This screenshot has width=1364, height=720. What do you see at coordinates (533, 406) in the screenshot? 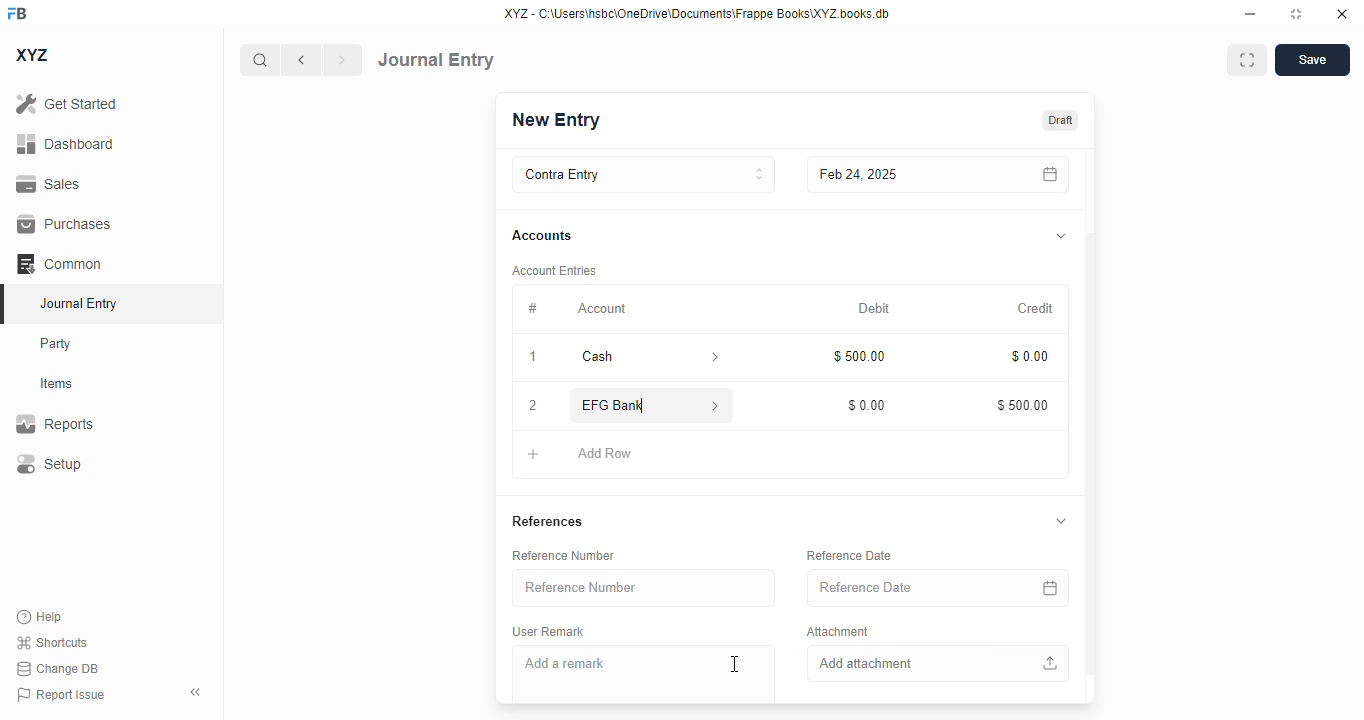
I see `2` at bounding box center [533, 406].